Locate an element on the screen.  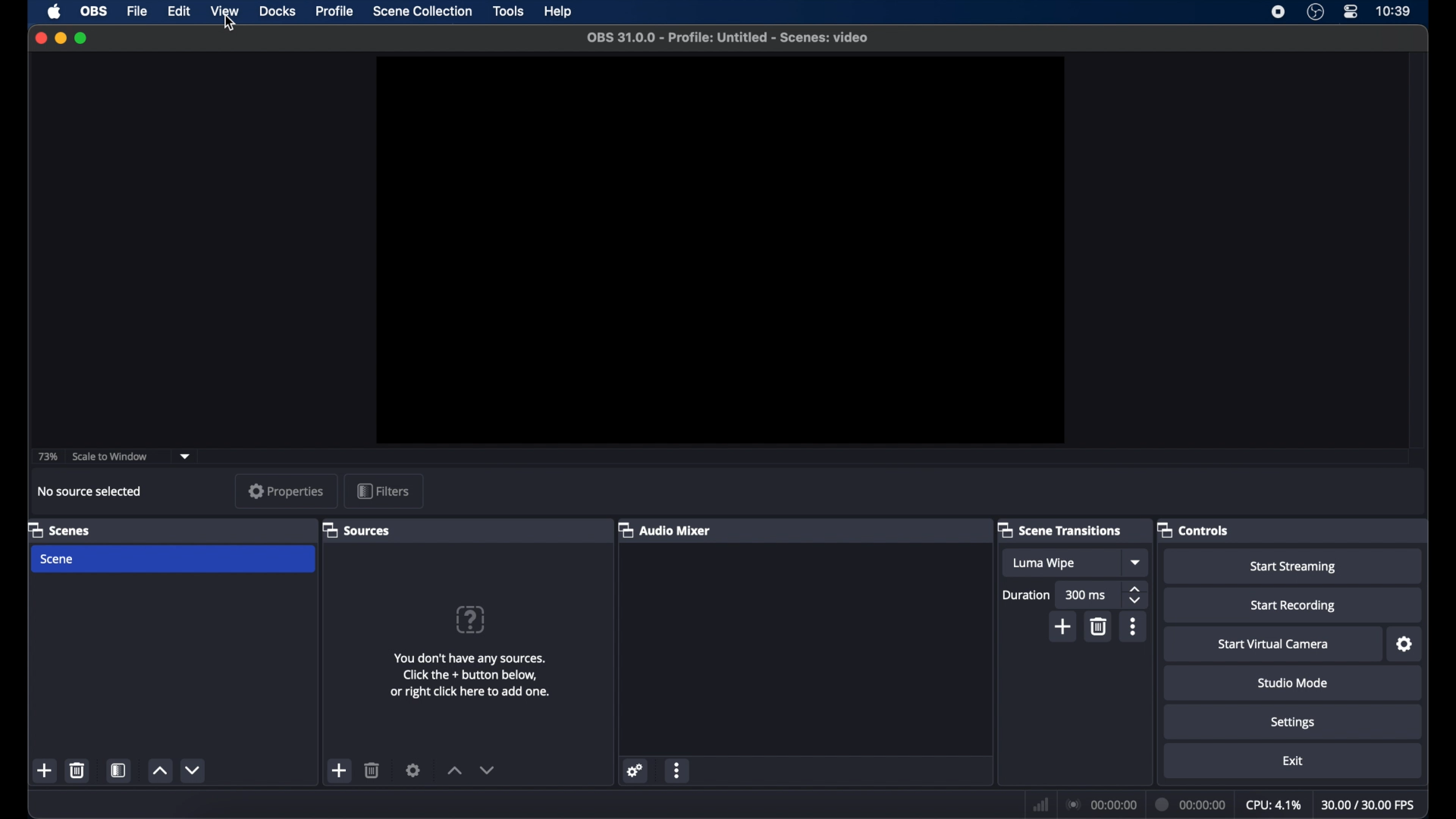
decrement is located at coordinates (492, 770).